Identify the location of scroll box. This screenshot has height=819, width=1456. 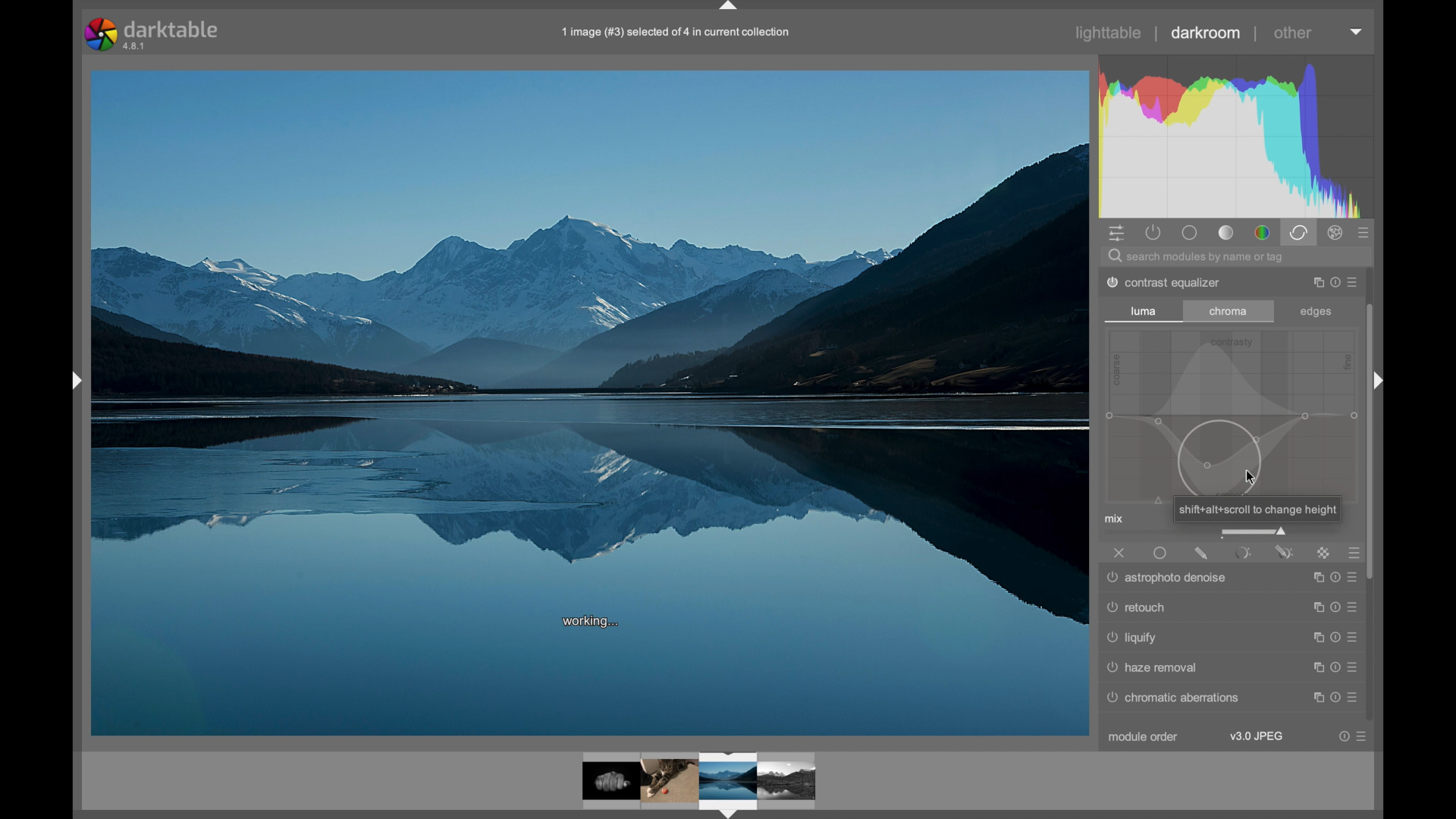
(1370, 482).